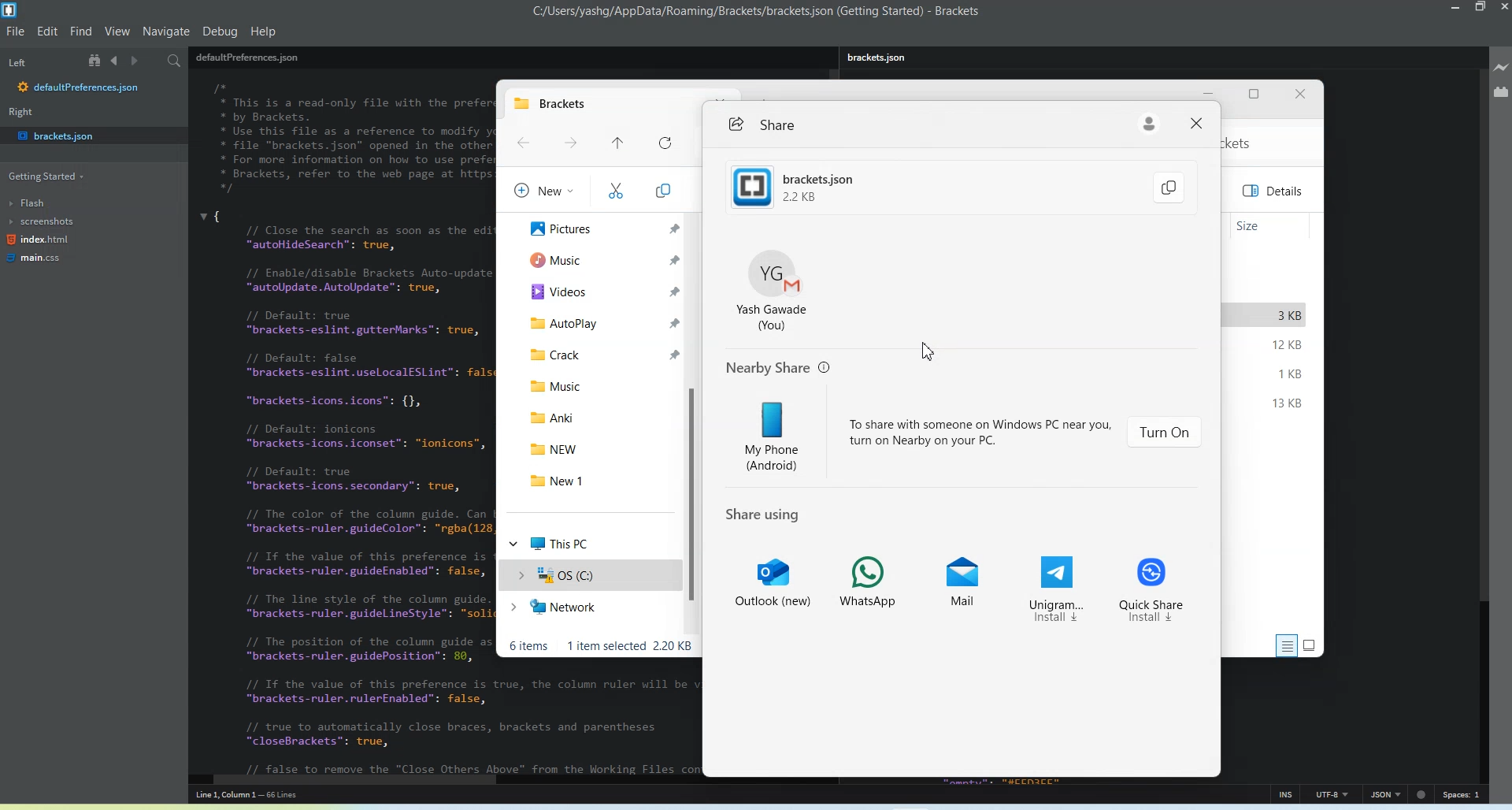 The width and height of the screenshot is (1512, 810). I want to click on Anki, so click(600, 415).